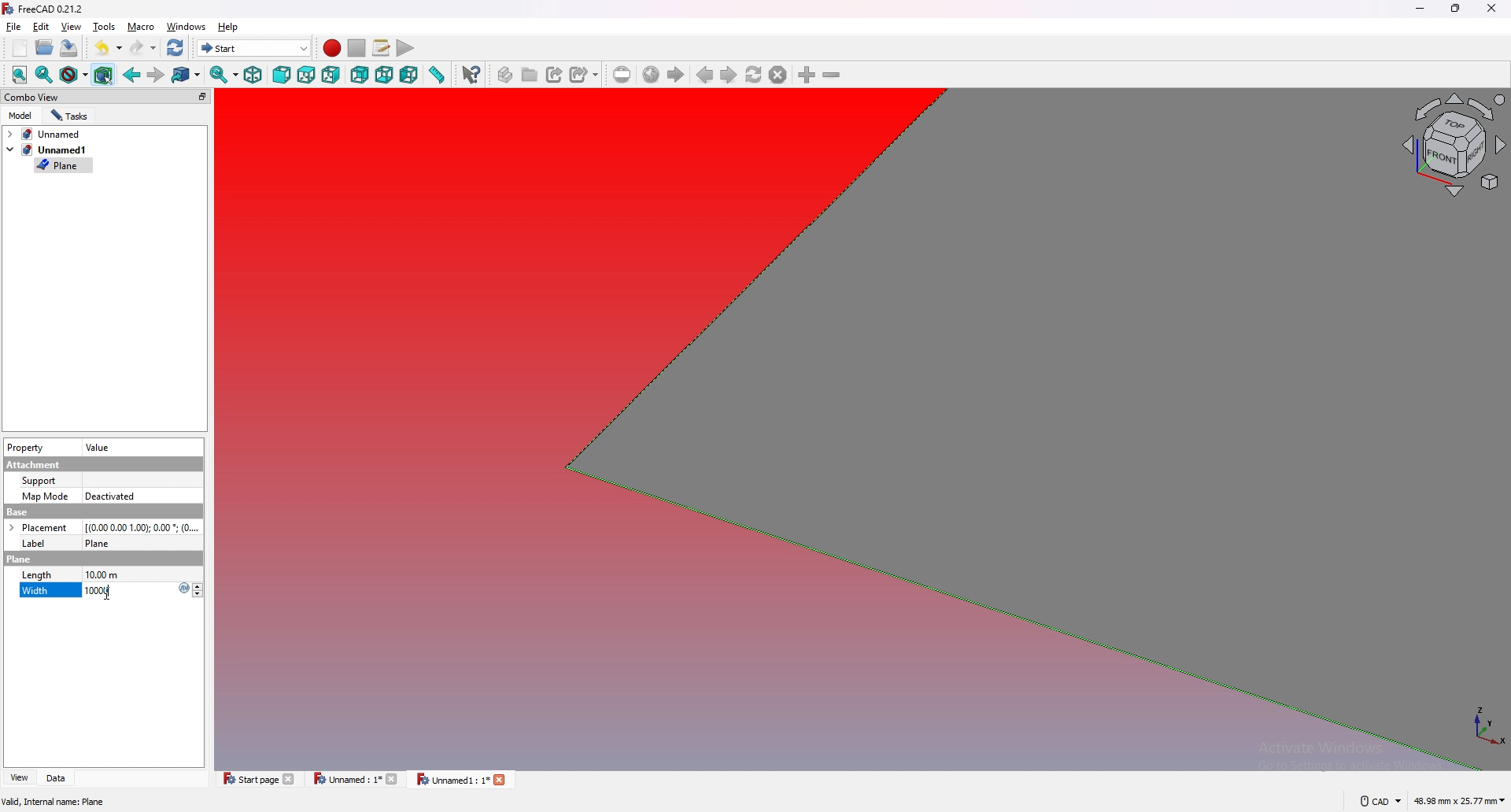 The image size is (1511, 812). What do you see at coordinates (187, 26) in the screenshot?
I see `windows` at bounding box center [187, 26].